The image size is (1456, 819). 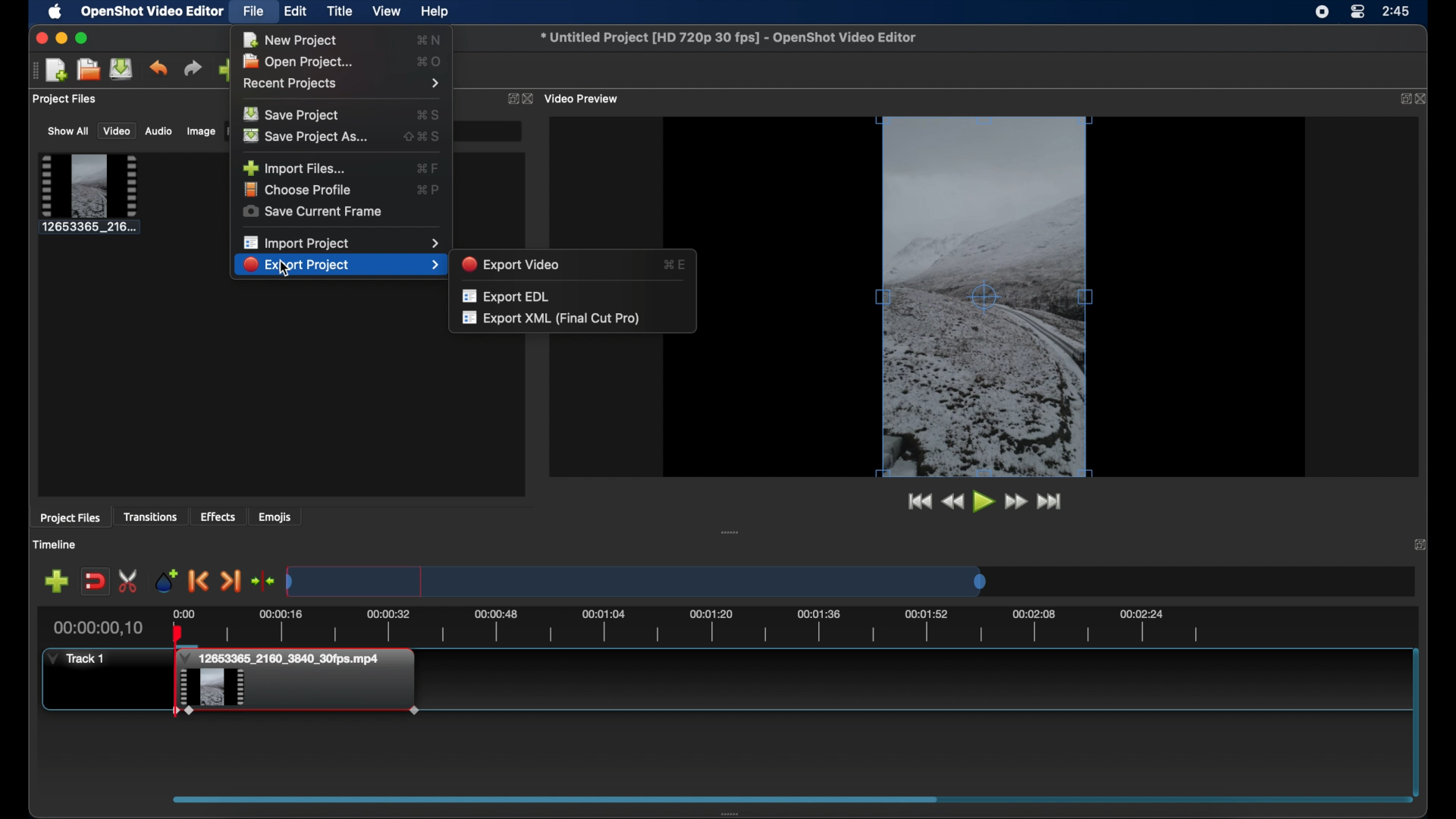 What do you see at coordinates (431, 39) in the screenshot?
I see `new project shortcut` at bounding box center [431, 39].